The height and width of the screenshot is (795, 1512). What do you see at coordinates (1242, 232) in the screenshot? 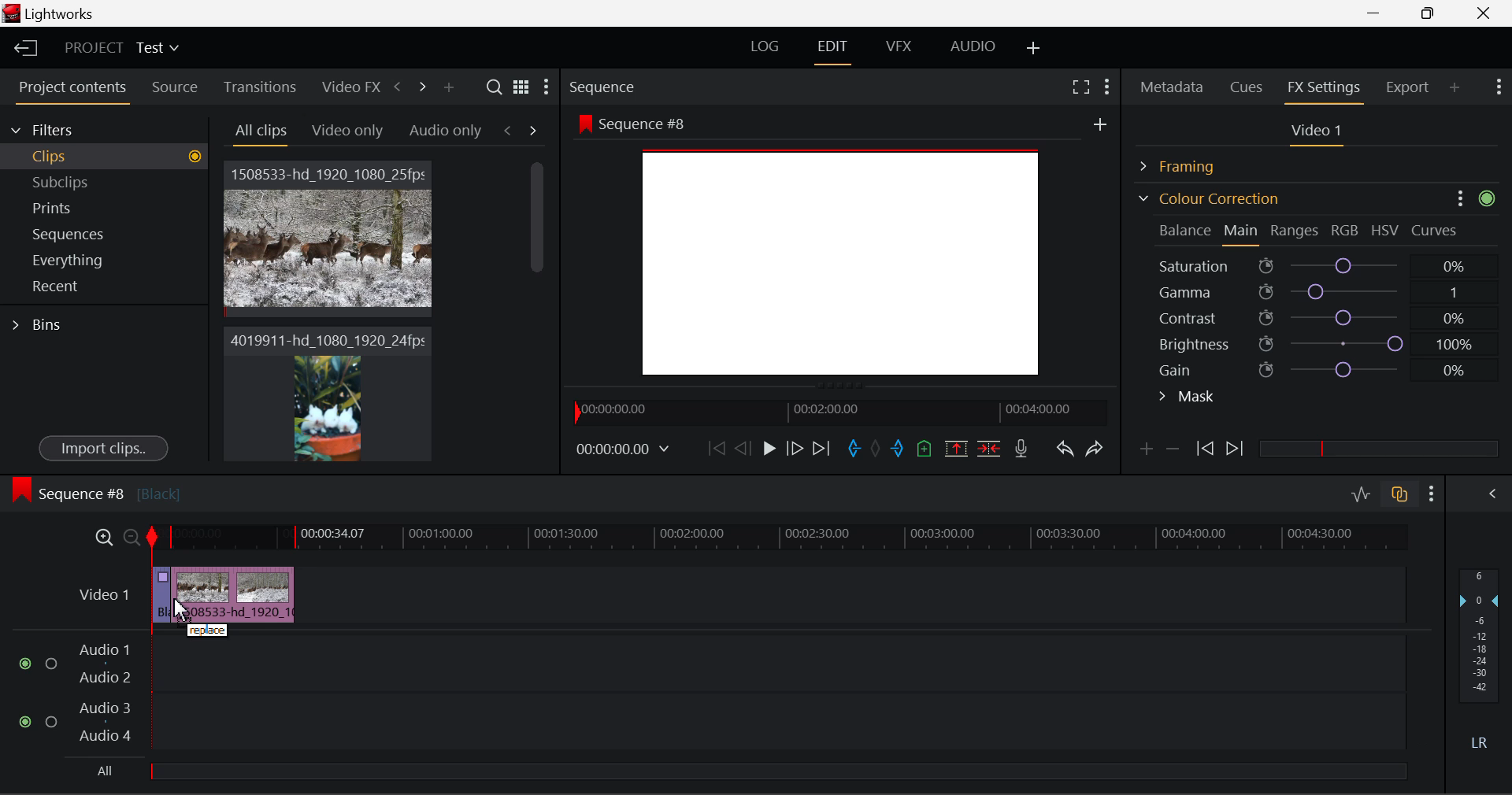
I see `Main Tab Open` at bounding box center [1242, 232].